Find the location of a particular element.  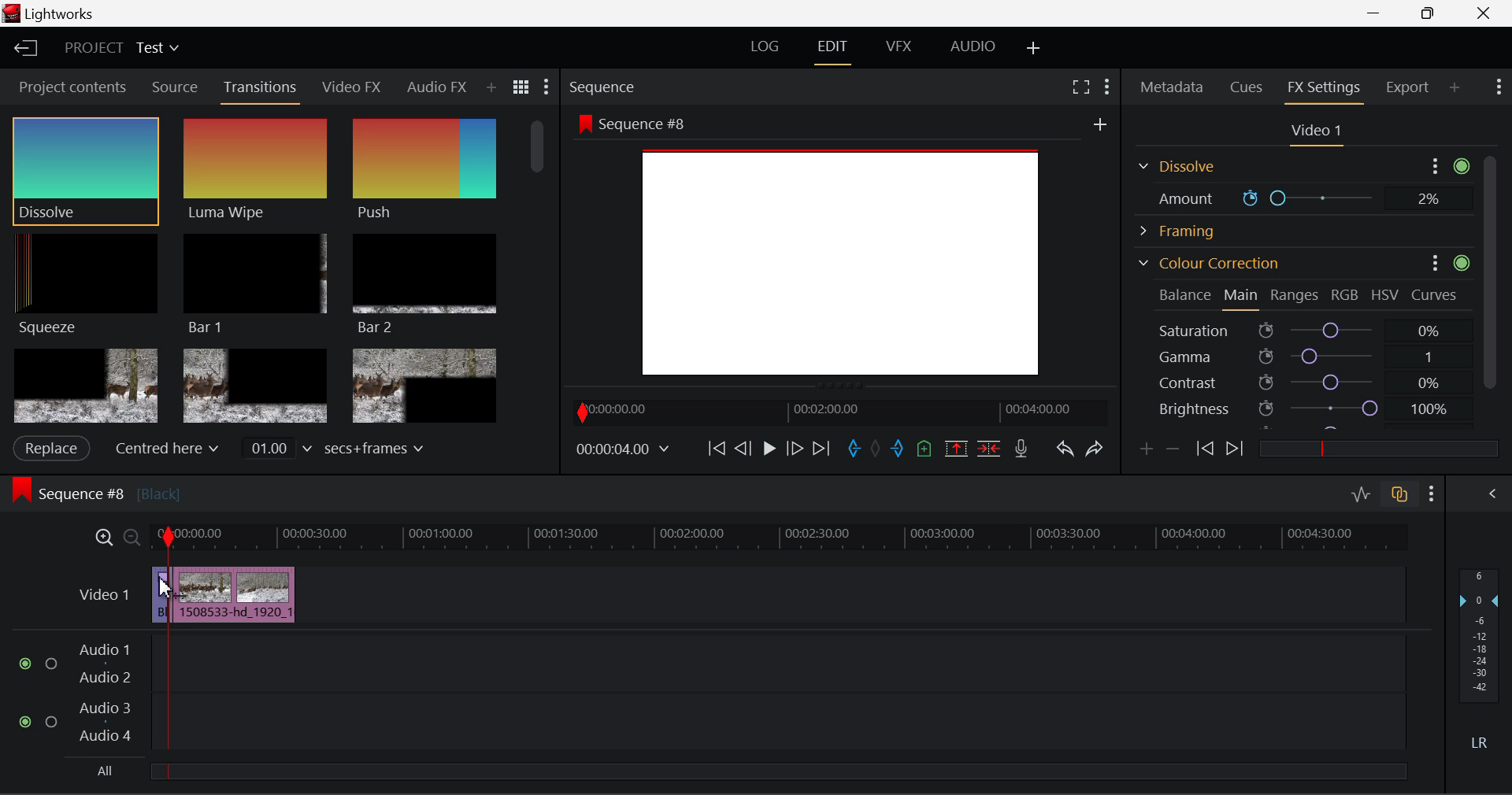

Delete keyframe is located at coordinates (1173, 452).